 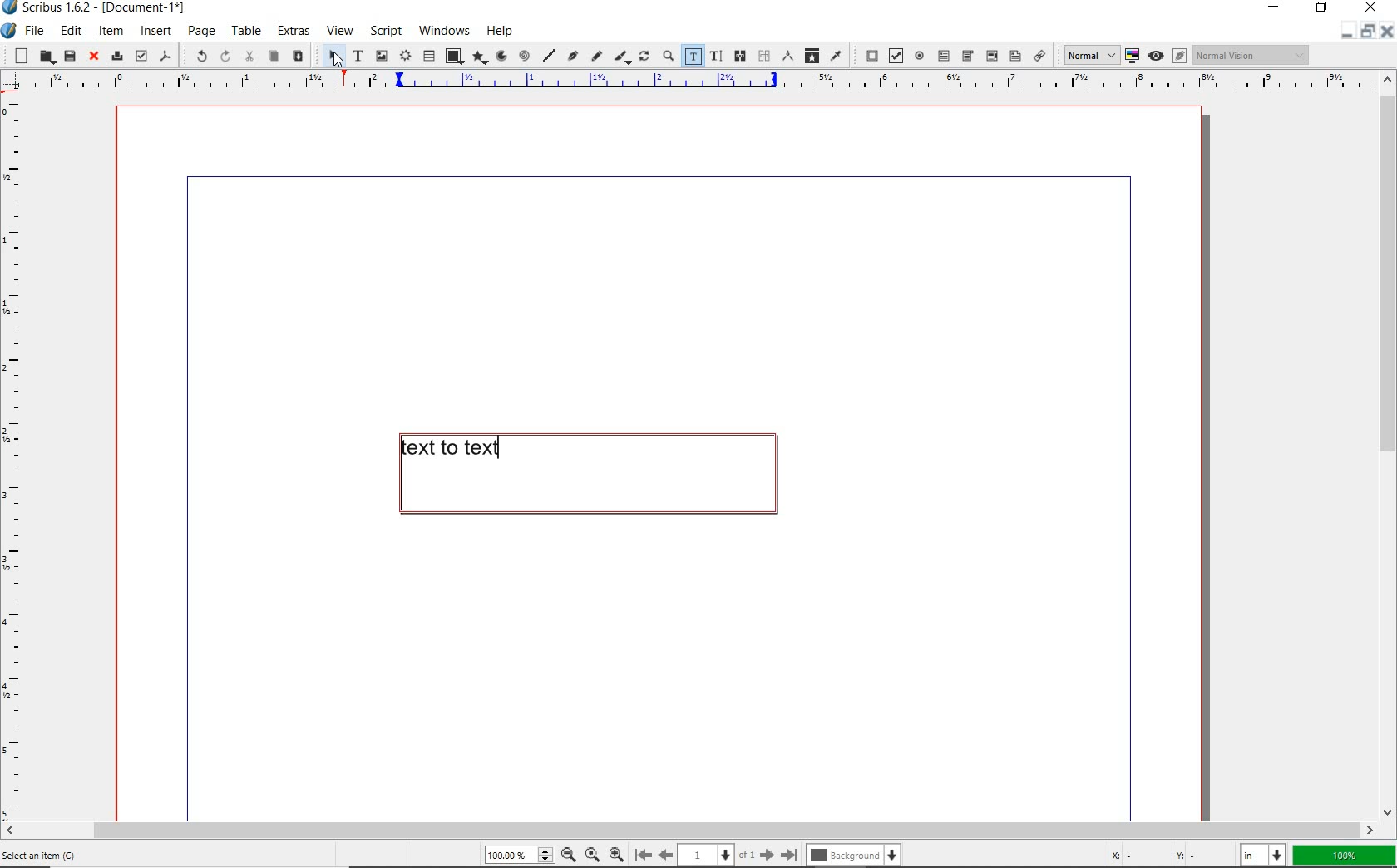 I want to click on 100%, so click(x=1345, y=856).